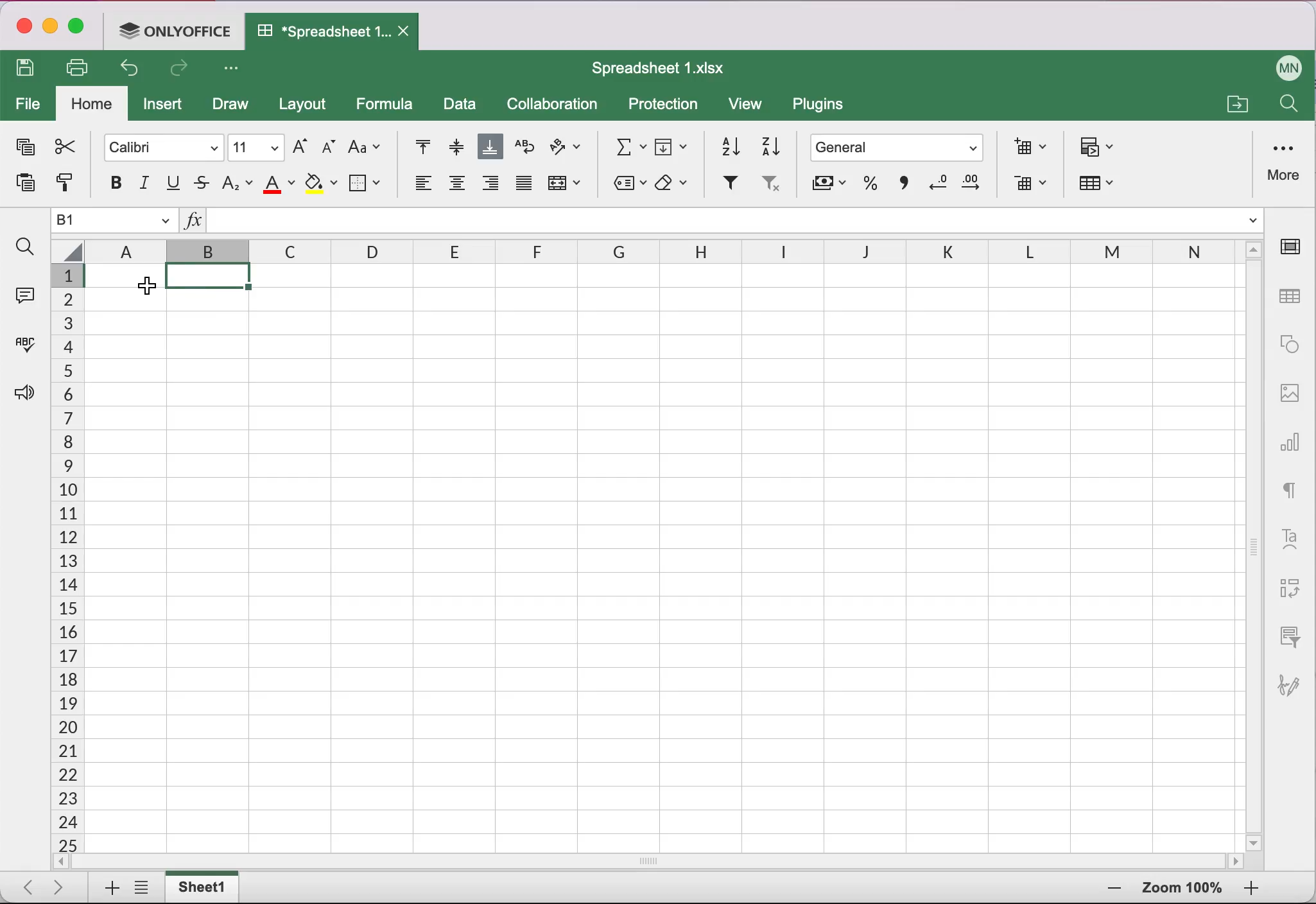  I want to click on shape, so click(1290, 344).